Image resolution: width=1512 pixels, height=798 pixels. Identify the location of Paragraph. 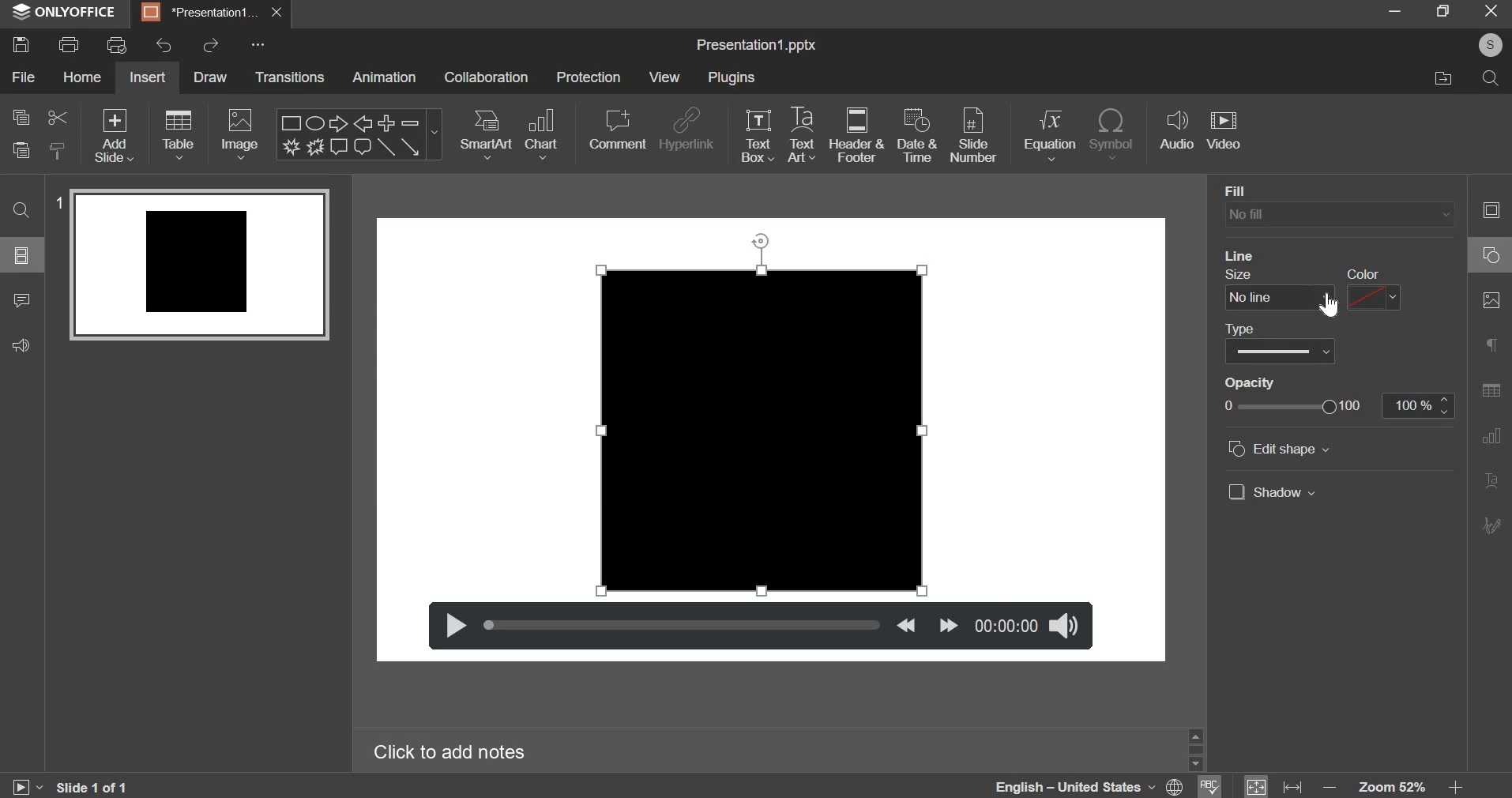
(1492, 480).